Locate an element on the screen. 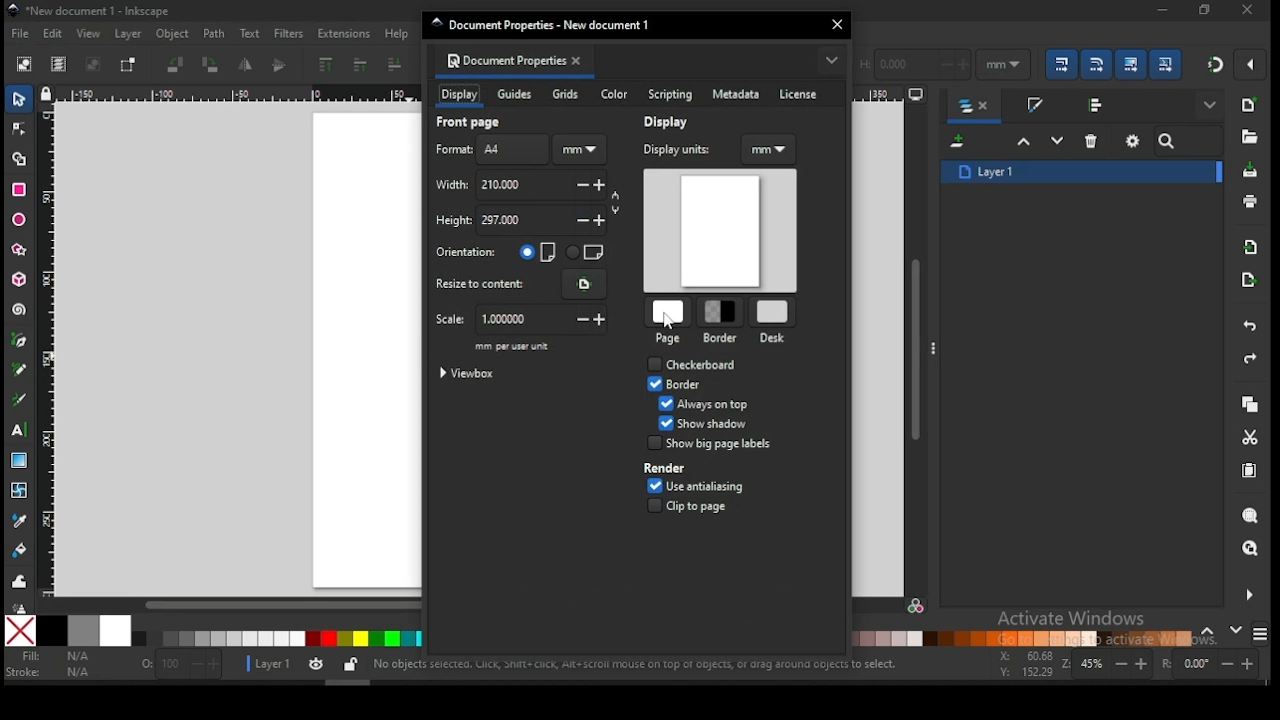 The image size is (1280, 720). open is located at coordinates (1248, 137).